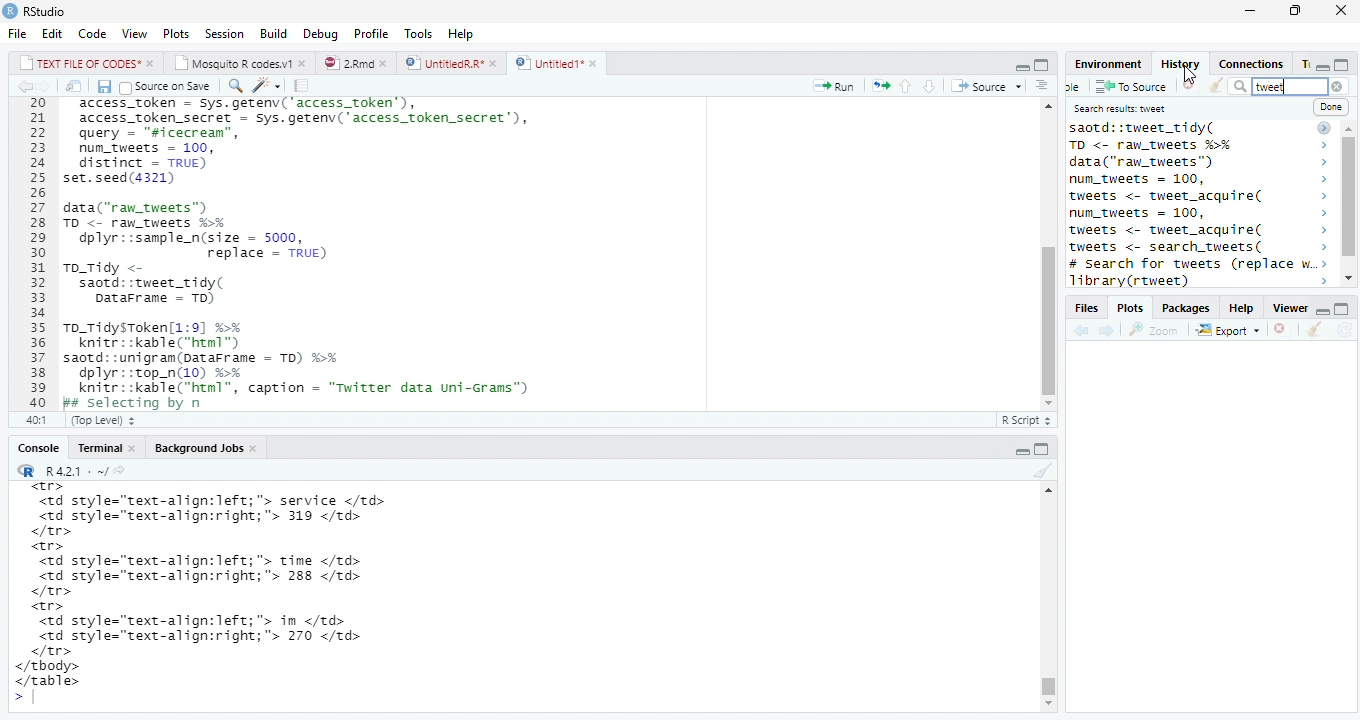 The height and width of the screenshot is (720, 1360). Describe the element at coordinates (79, 469) in the screenshot. I see `“R R421: ~/` at that location.